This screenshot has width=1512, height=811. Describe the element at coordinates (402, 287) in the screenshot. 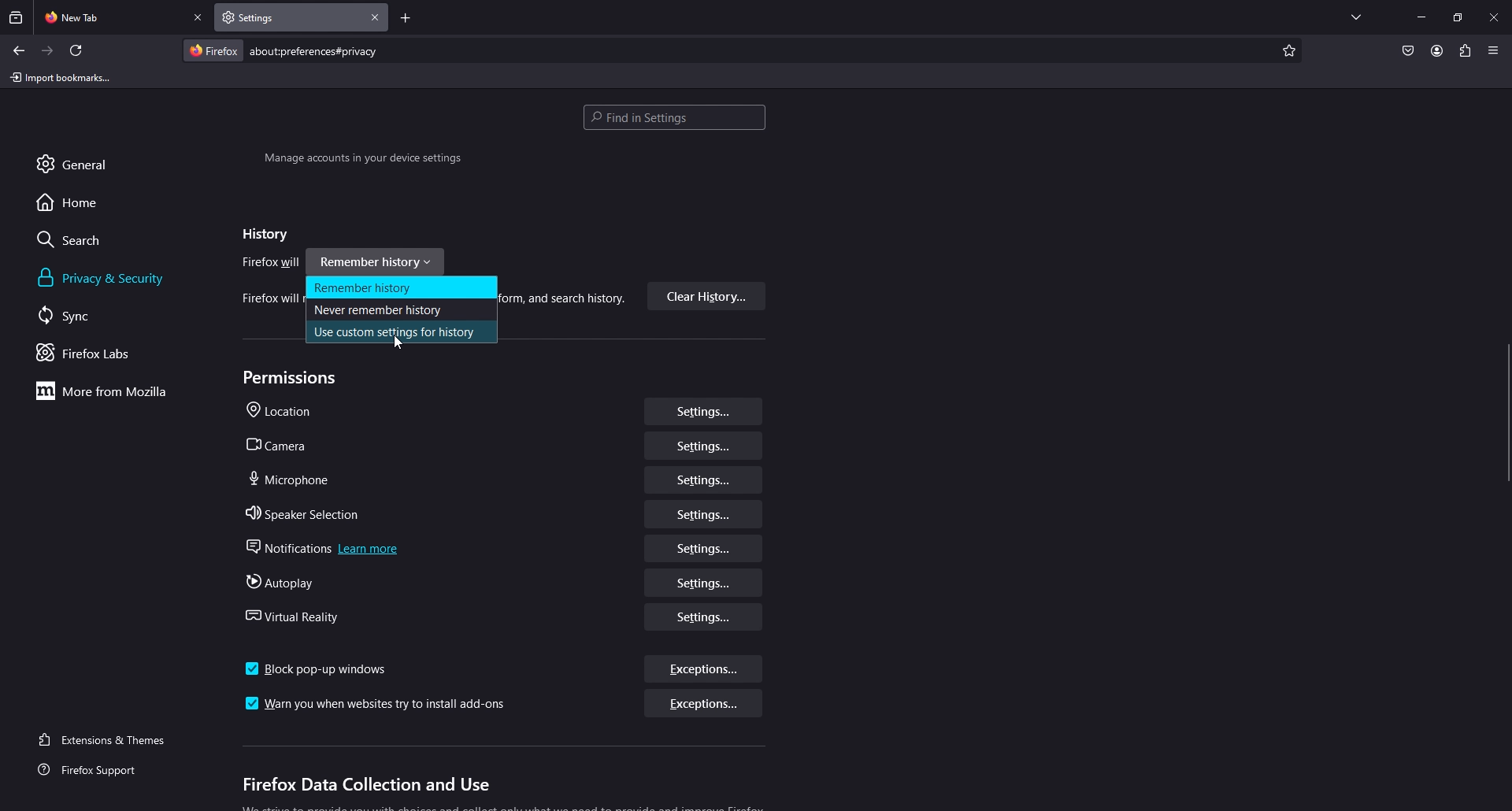

I see `remember history` at that location.